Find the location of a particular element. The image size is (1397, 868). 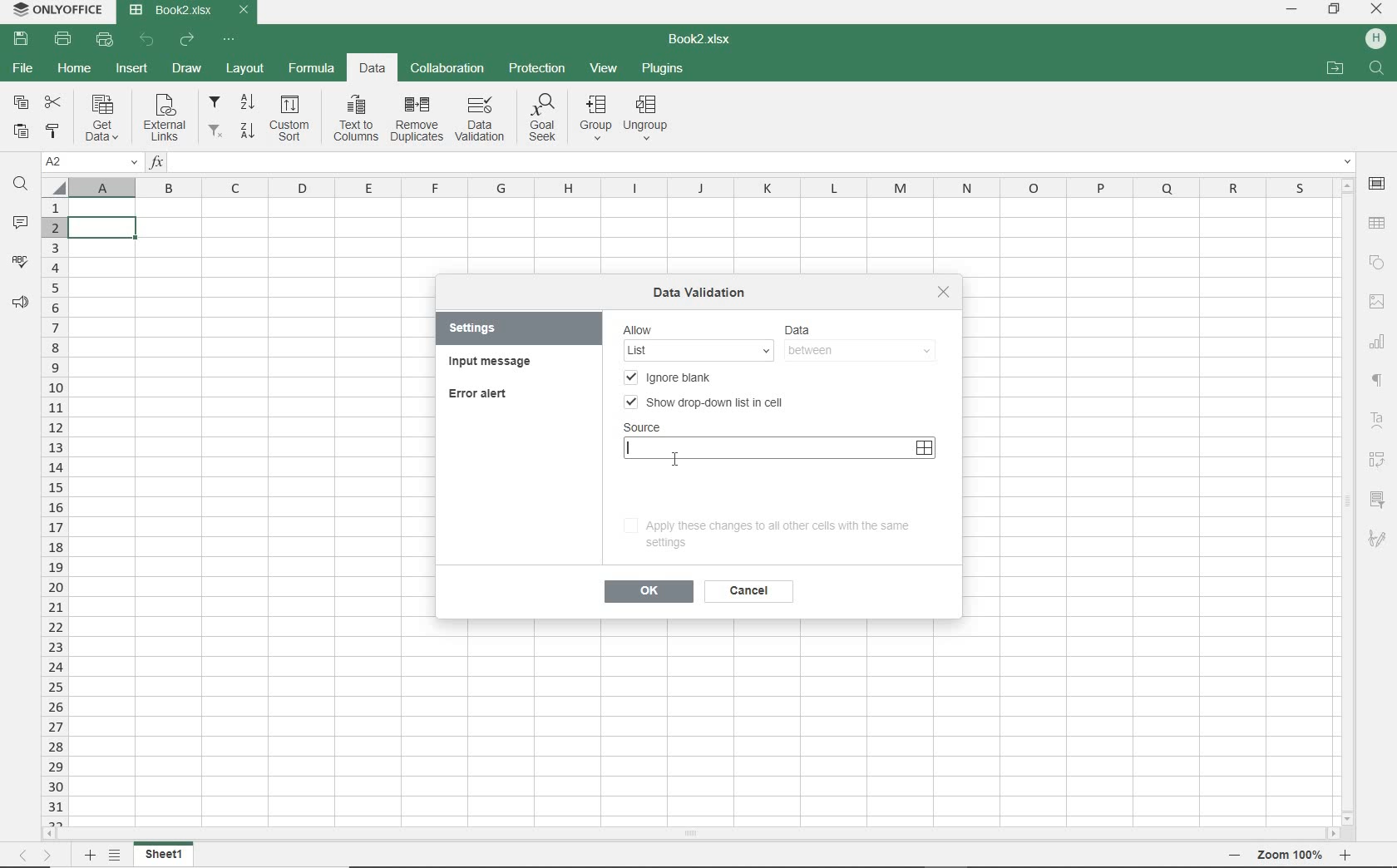

SIGNATURE is located at coordinates (1376, 538).